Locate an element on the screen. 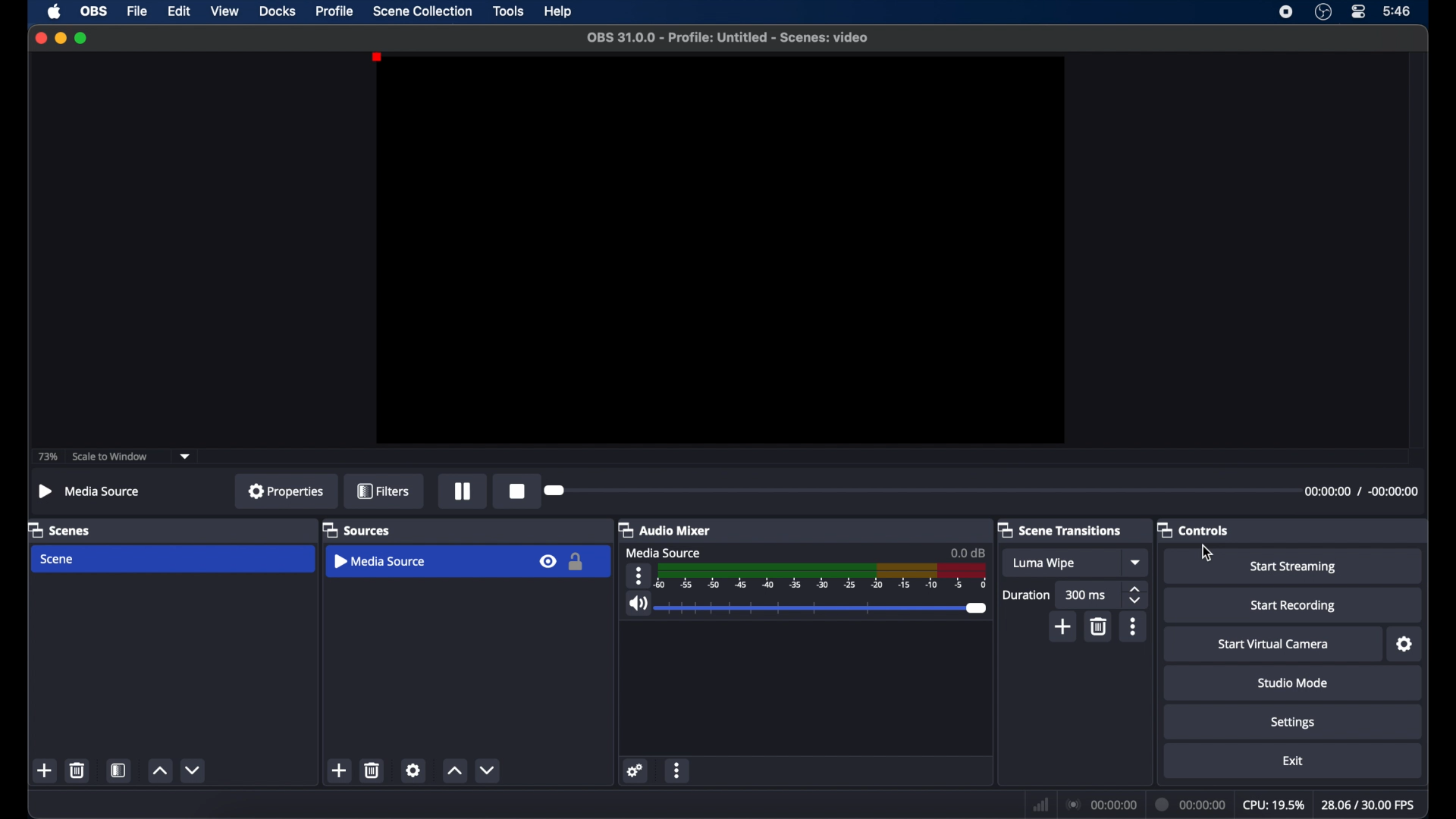 This screenshot has width=1456, height=819. delete is located at coordinates (373, 770).